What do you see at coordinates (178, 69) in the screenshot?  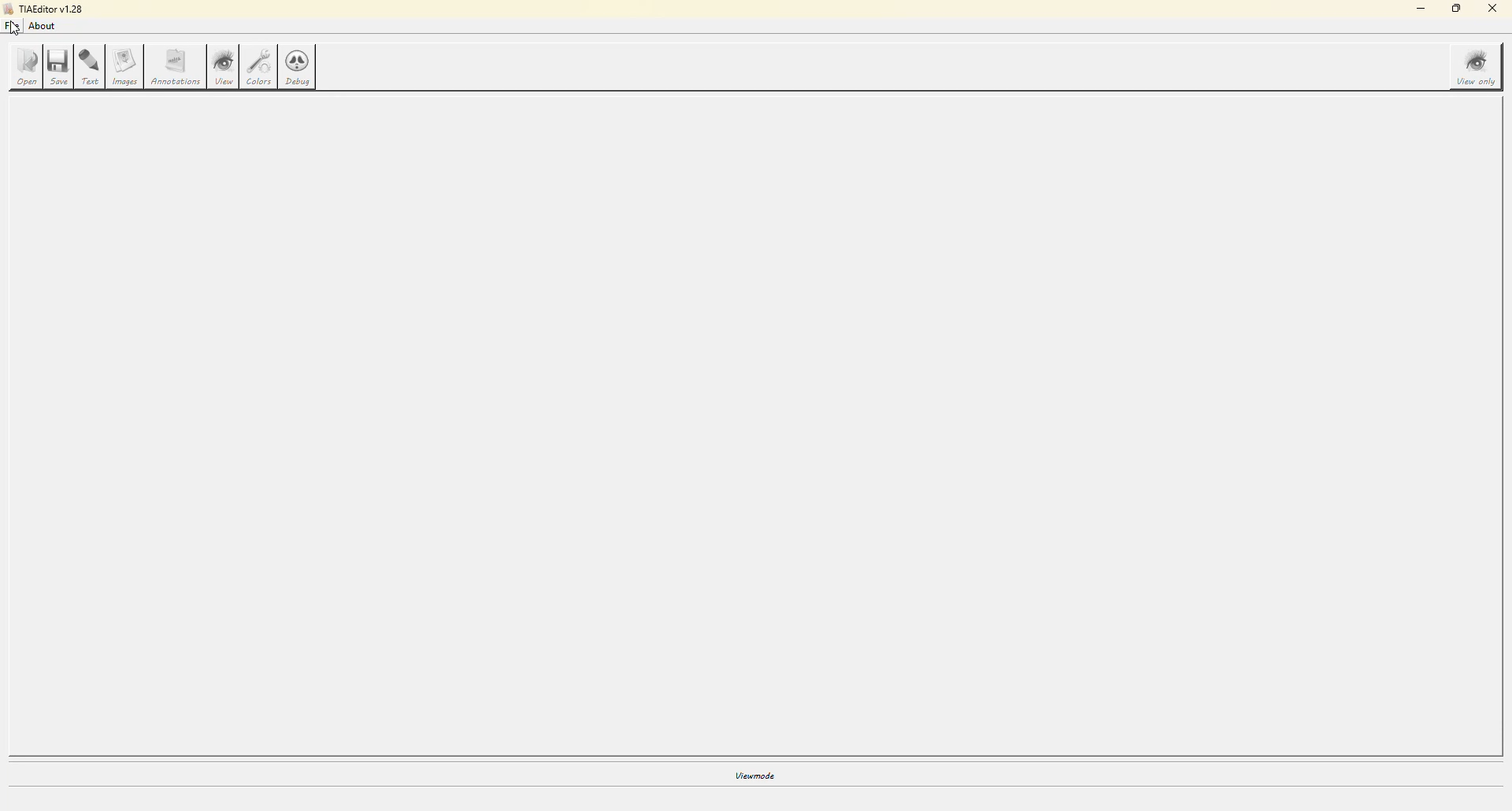 I see `annotations` at bounding box center [178, 69].